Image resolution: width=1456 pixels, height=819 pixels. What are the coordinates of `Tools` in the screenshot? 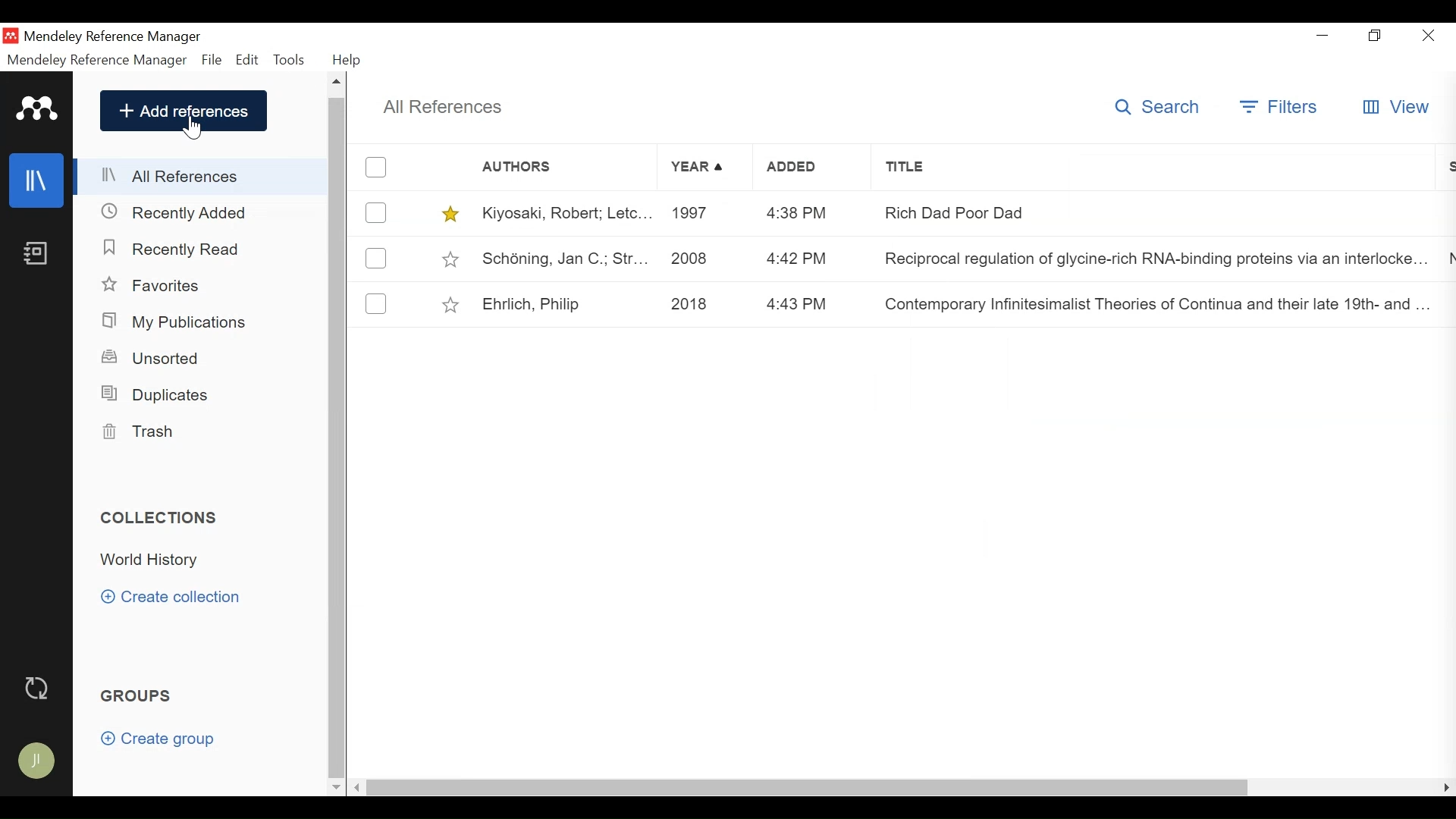 It's located at (290, 58).